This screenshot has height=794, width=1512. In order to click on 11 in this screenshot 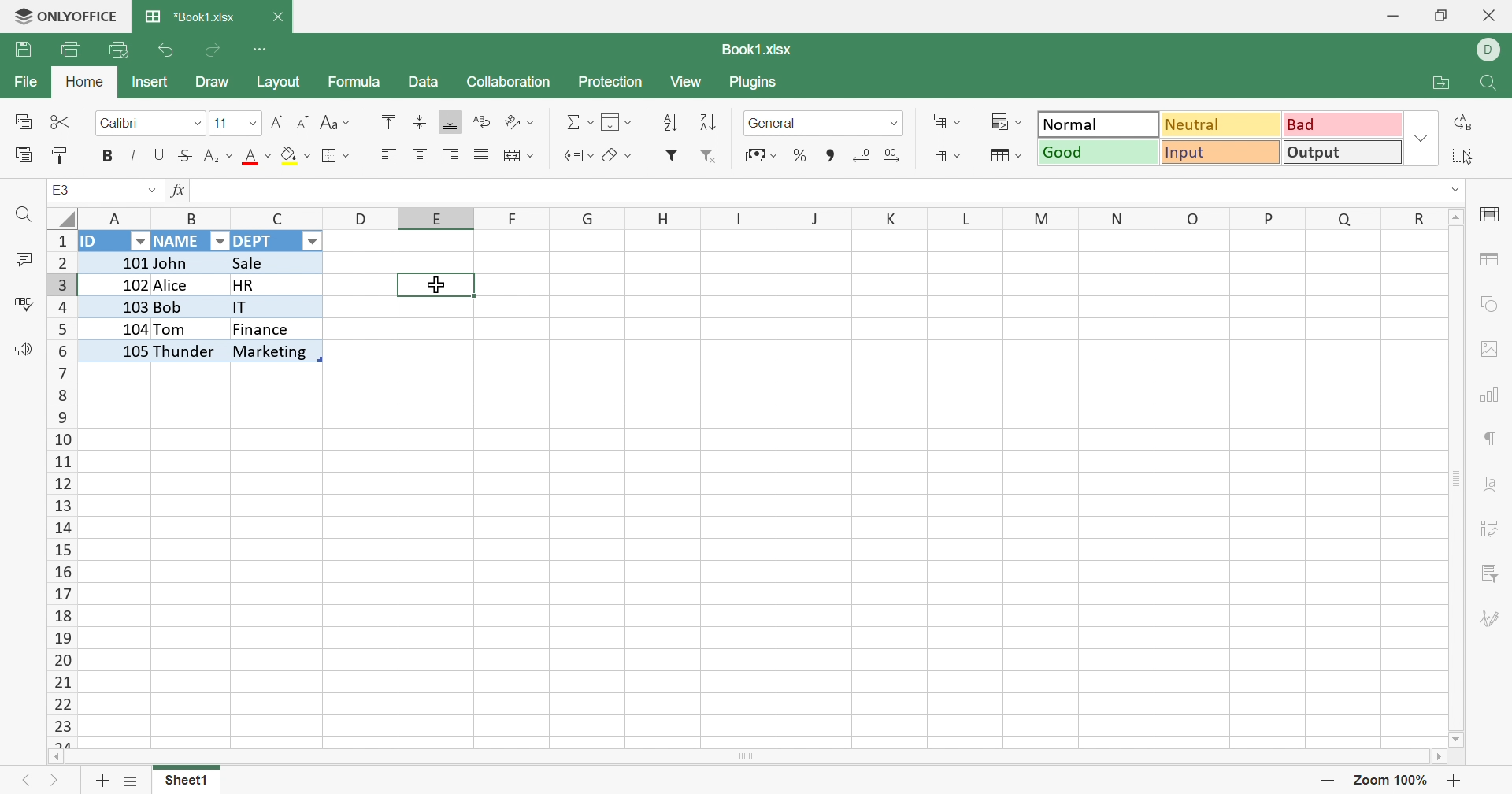, I will do `click(220, 123)`.